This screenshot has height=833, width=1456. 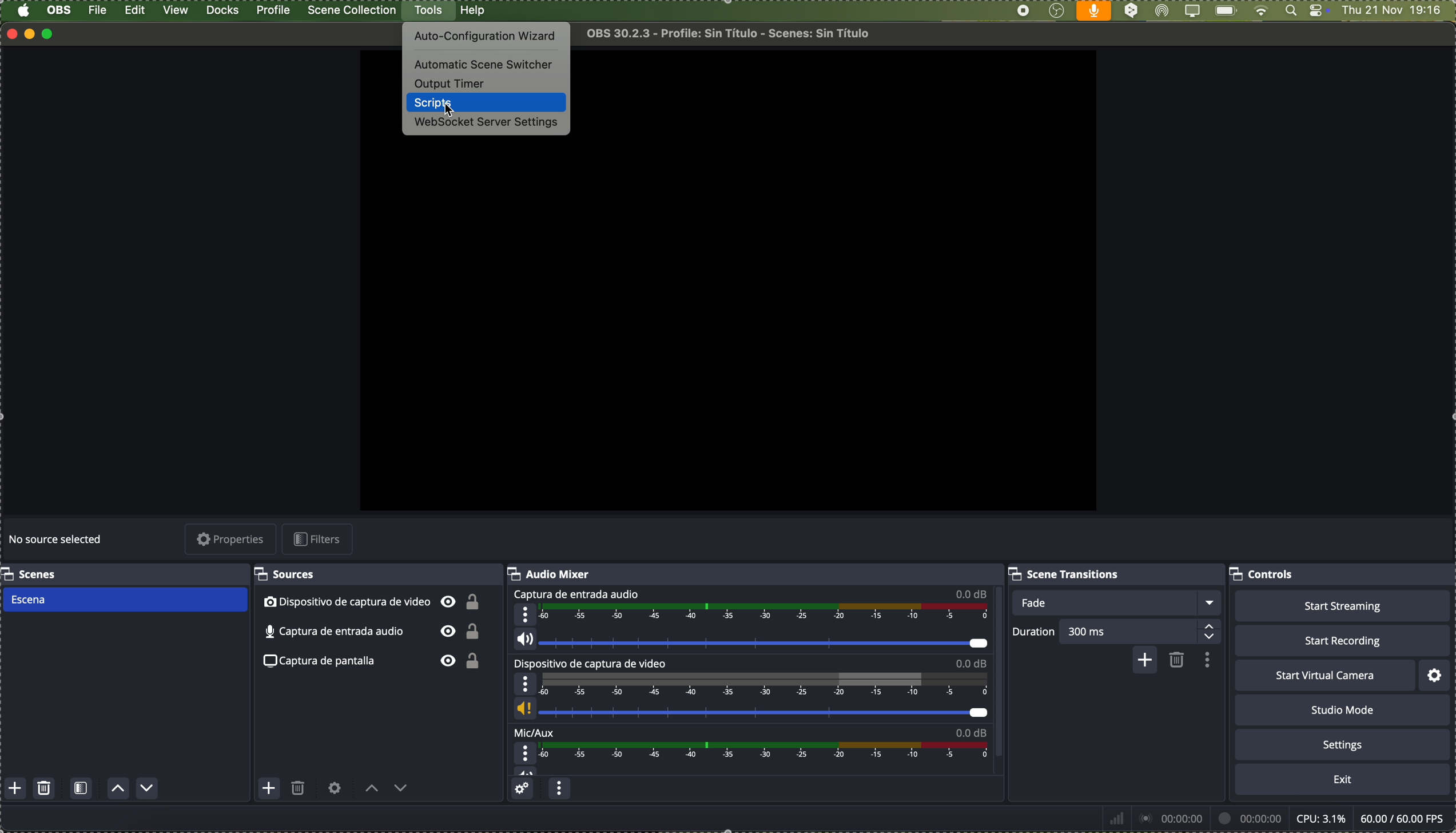 What do you see at coordinates (1261, 11) in the screenshot?
I see `wifi` at bounding box center [1261, 11].